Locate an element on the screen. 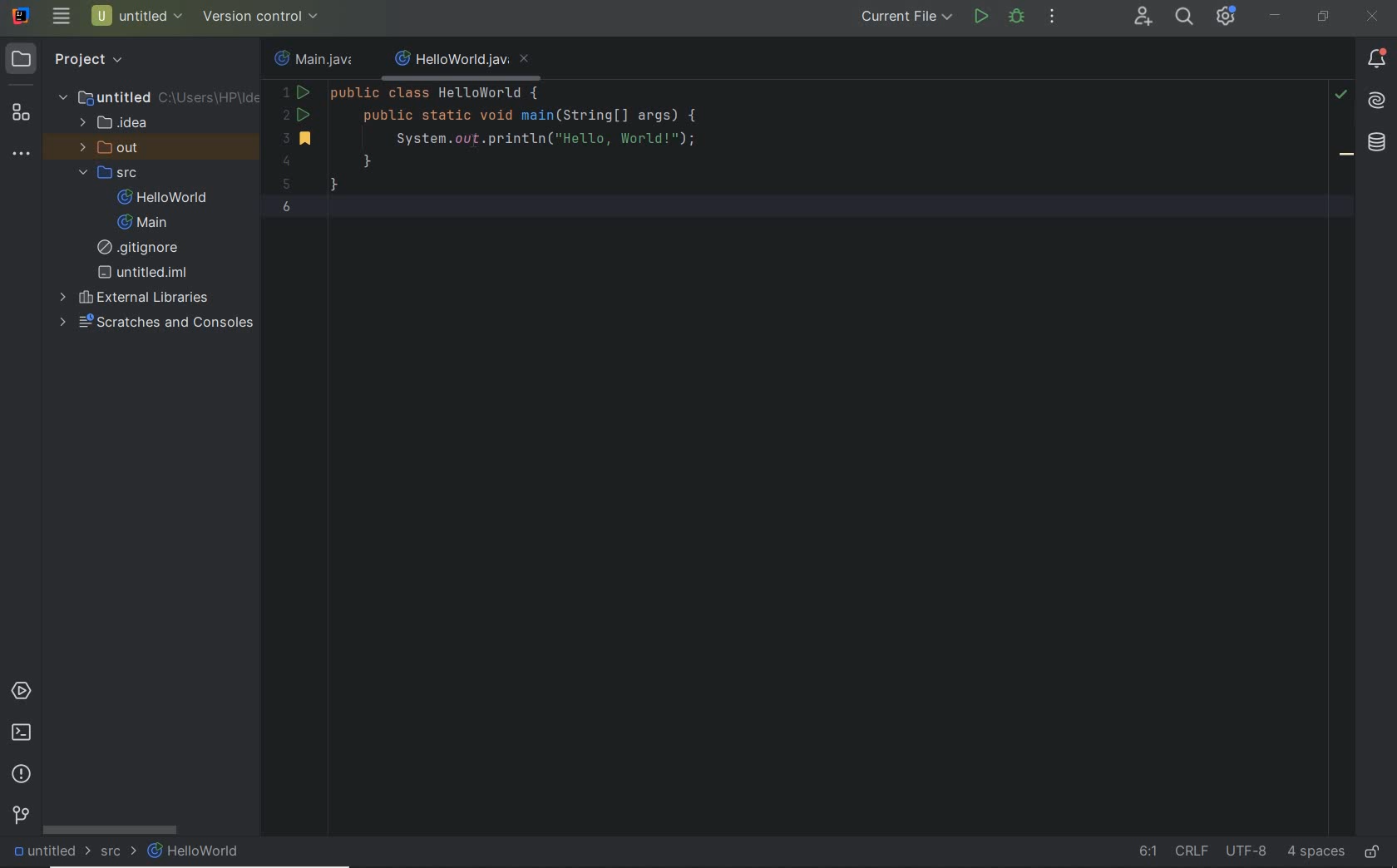 This screenshot has width=1397, height=868. problems is located at coordinates (25, 774).